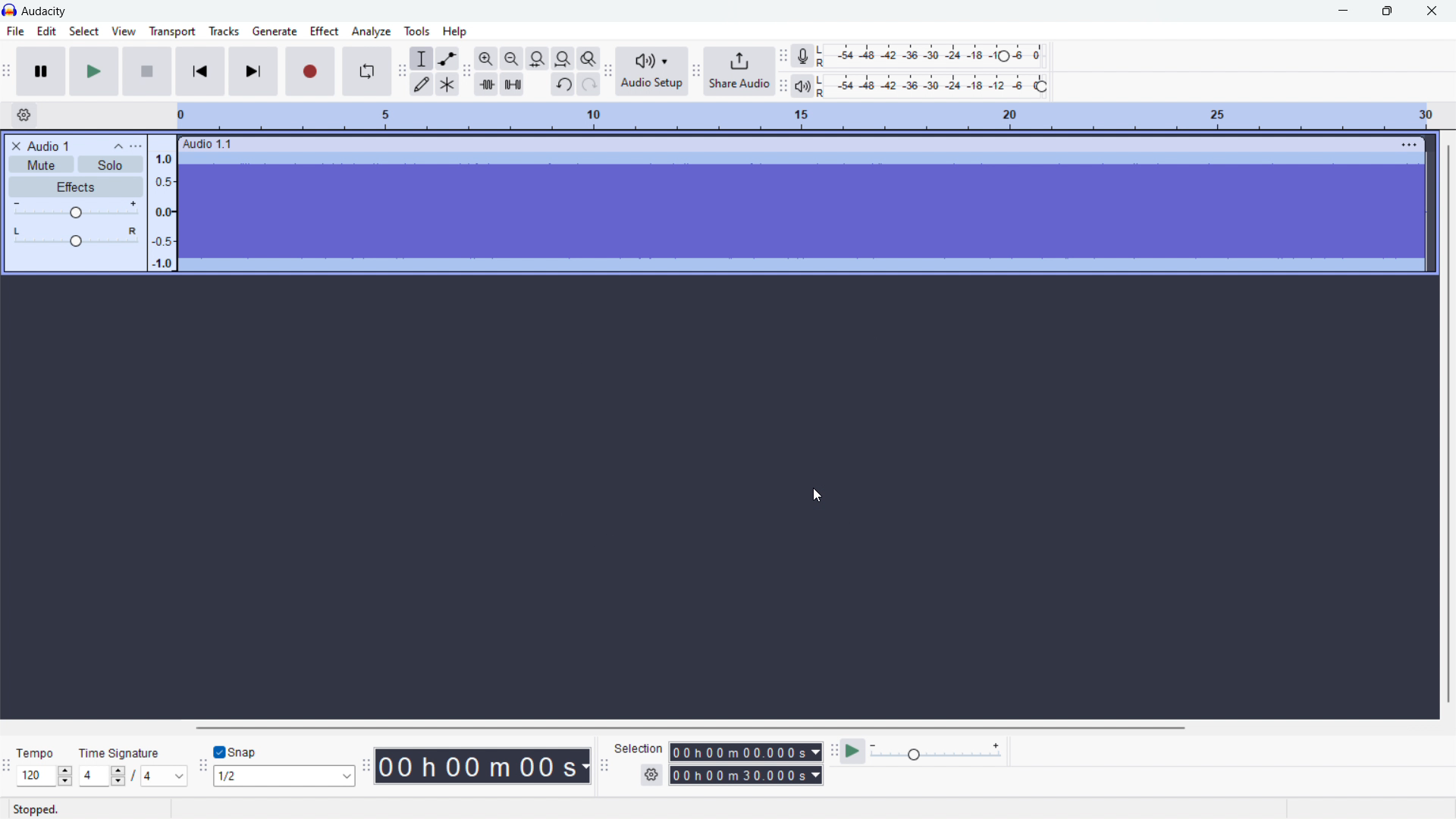 This screenshot has width=1456, height=819. Describe the element at coordinates (41, 164) in the screenshot. I see `mute` at that location.